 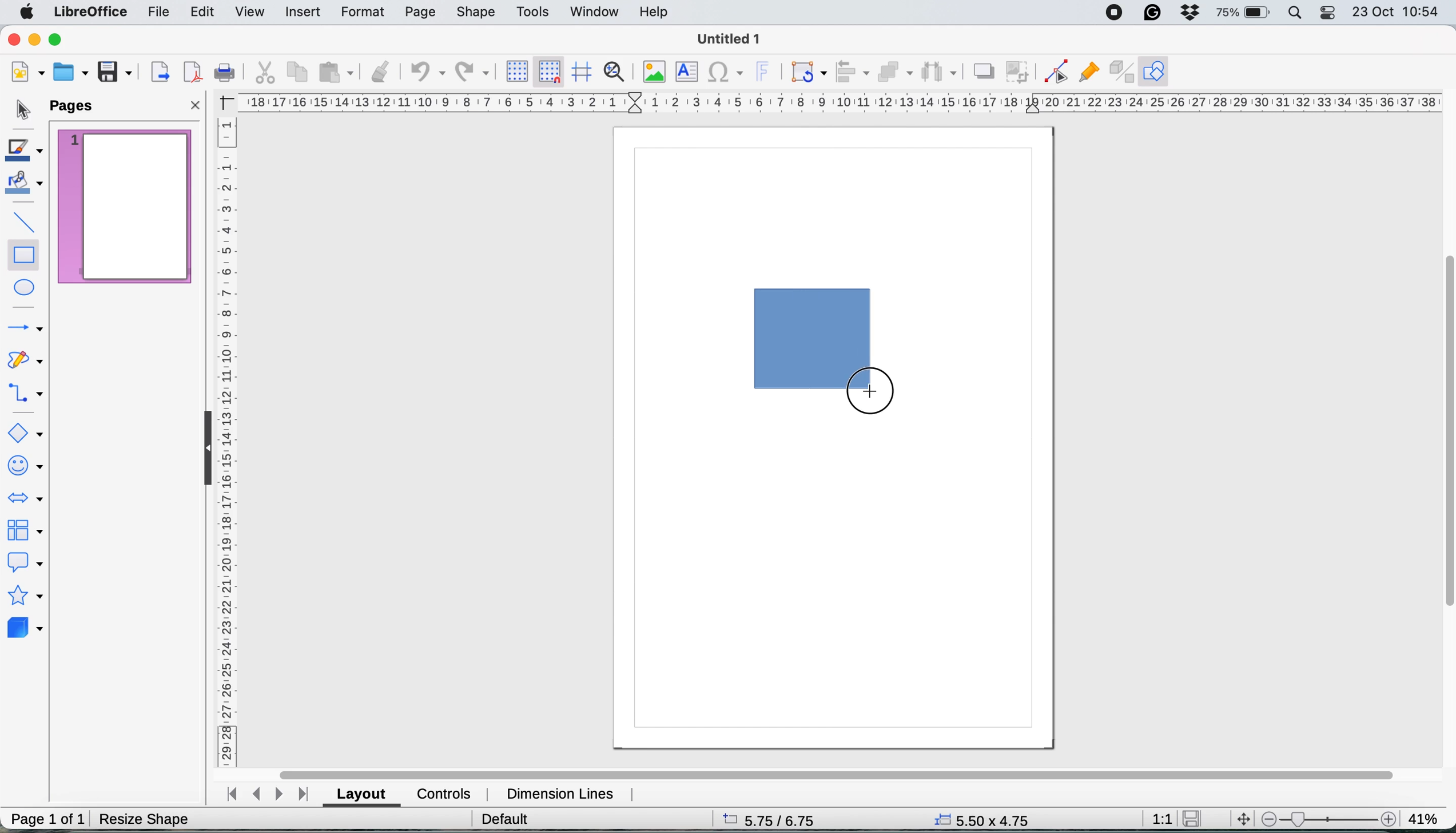 I want to click on zoom and pan, so click(x=620, y=71).